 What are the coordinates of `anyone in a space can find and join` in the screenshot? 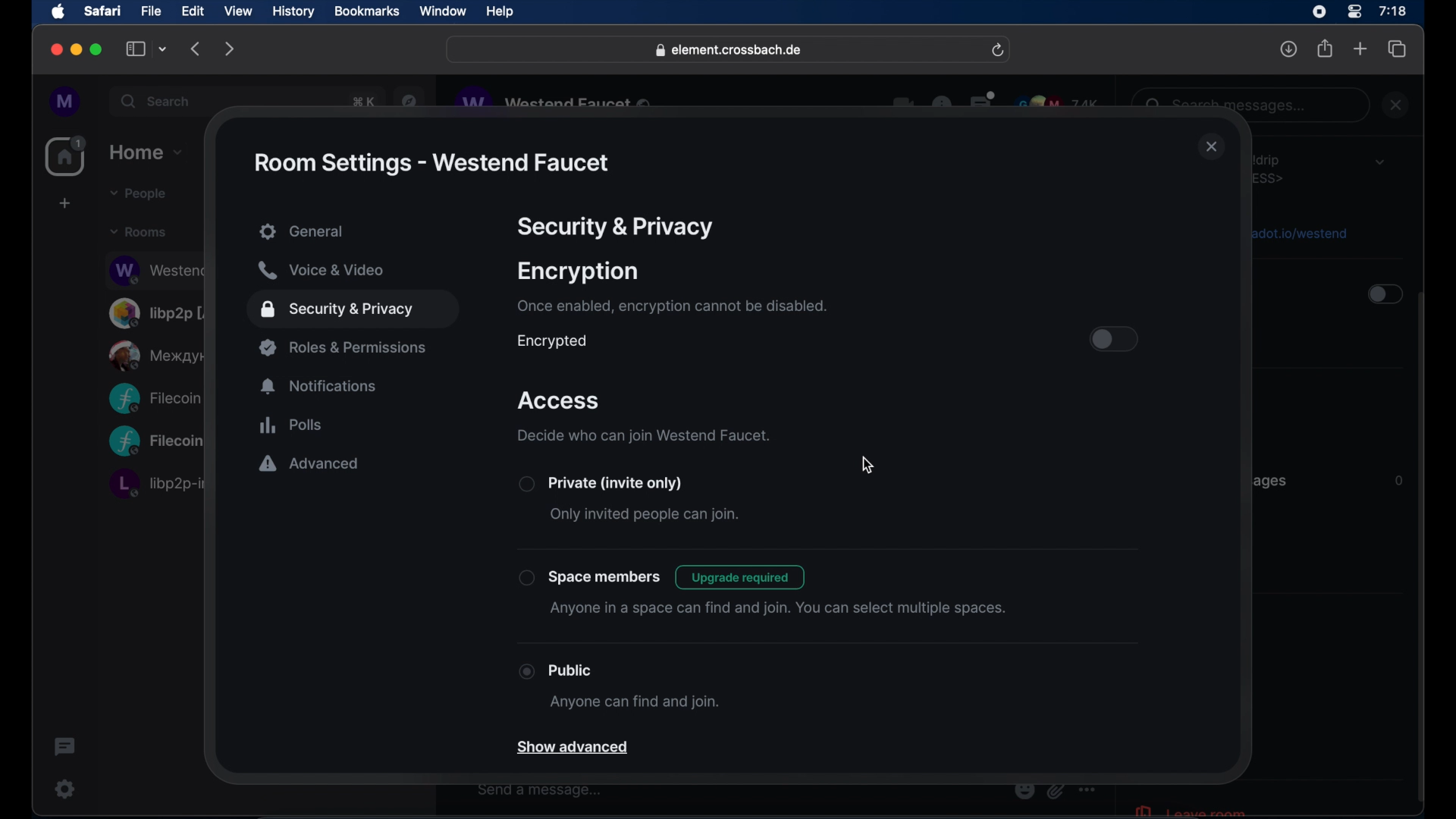 It's located at (779, 609).